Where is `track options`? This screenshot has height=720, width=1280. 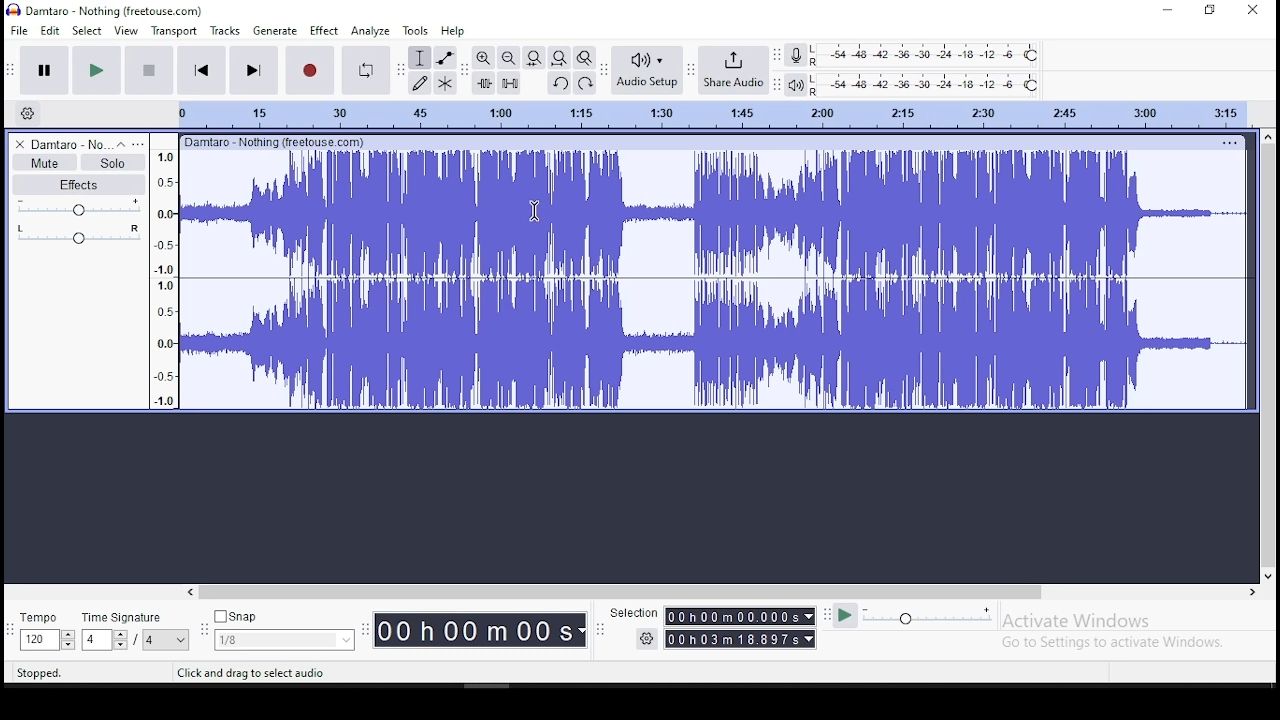
track options is located at coordinates (1227, 142).